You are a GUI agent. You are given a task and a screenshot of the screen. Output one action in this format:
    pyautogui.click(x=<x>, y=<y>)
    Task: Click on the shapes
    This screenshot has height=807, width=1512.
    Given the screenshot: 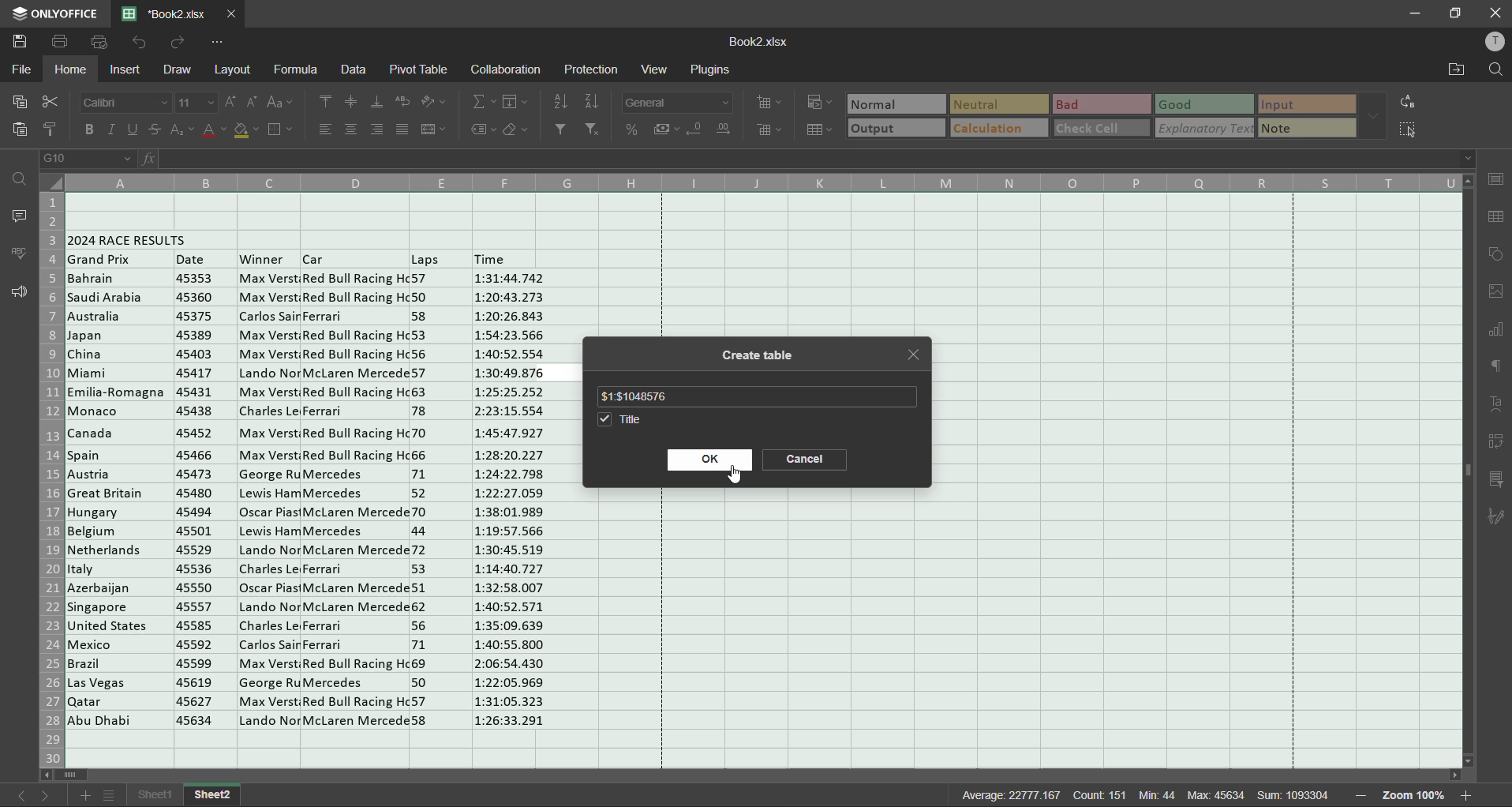 What is the action you would take?
    pyautogui.click(x=1495, y=258)
    